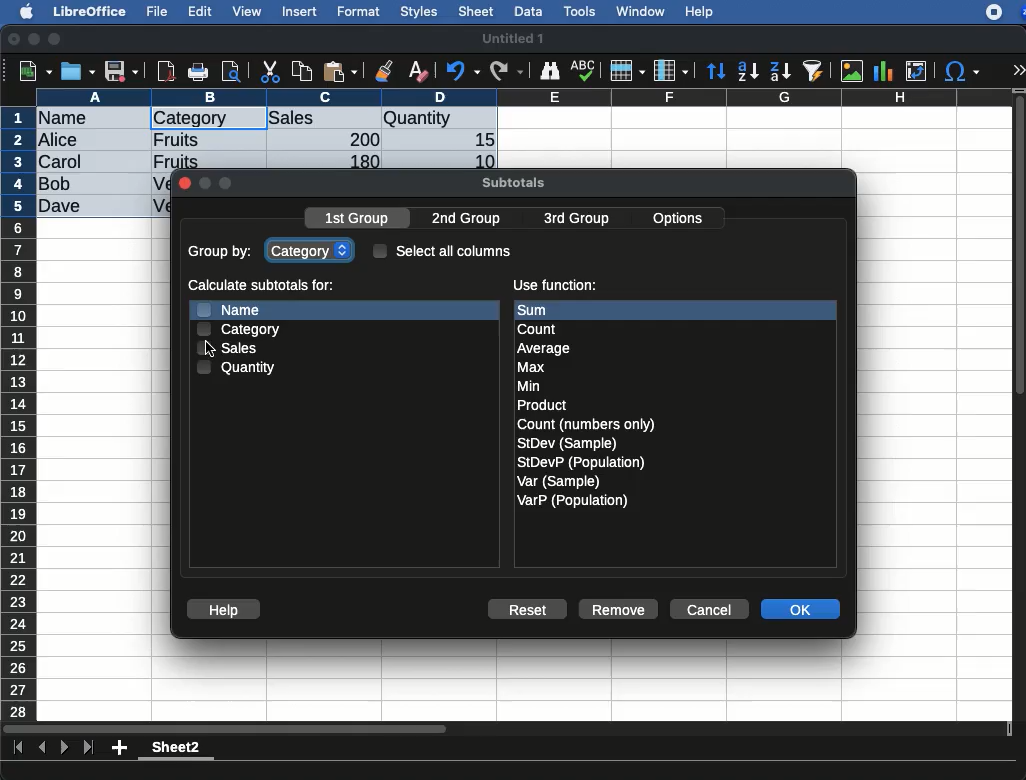 The width and height of the screenshot is (1026, 780). What do you see at coordinates (549, 71) in the screenshot?
I see `finder` at bounding box center [549, 71].